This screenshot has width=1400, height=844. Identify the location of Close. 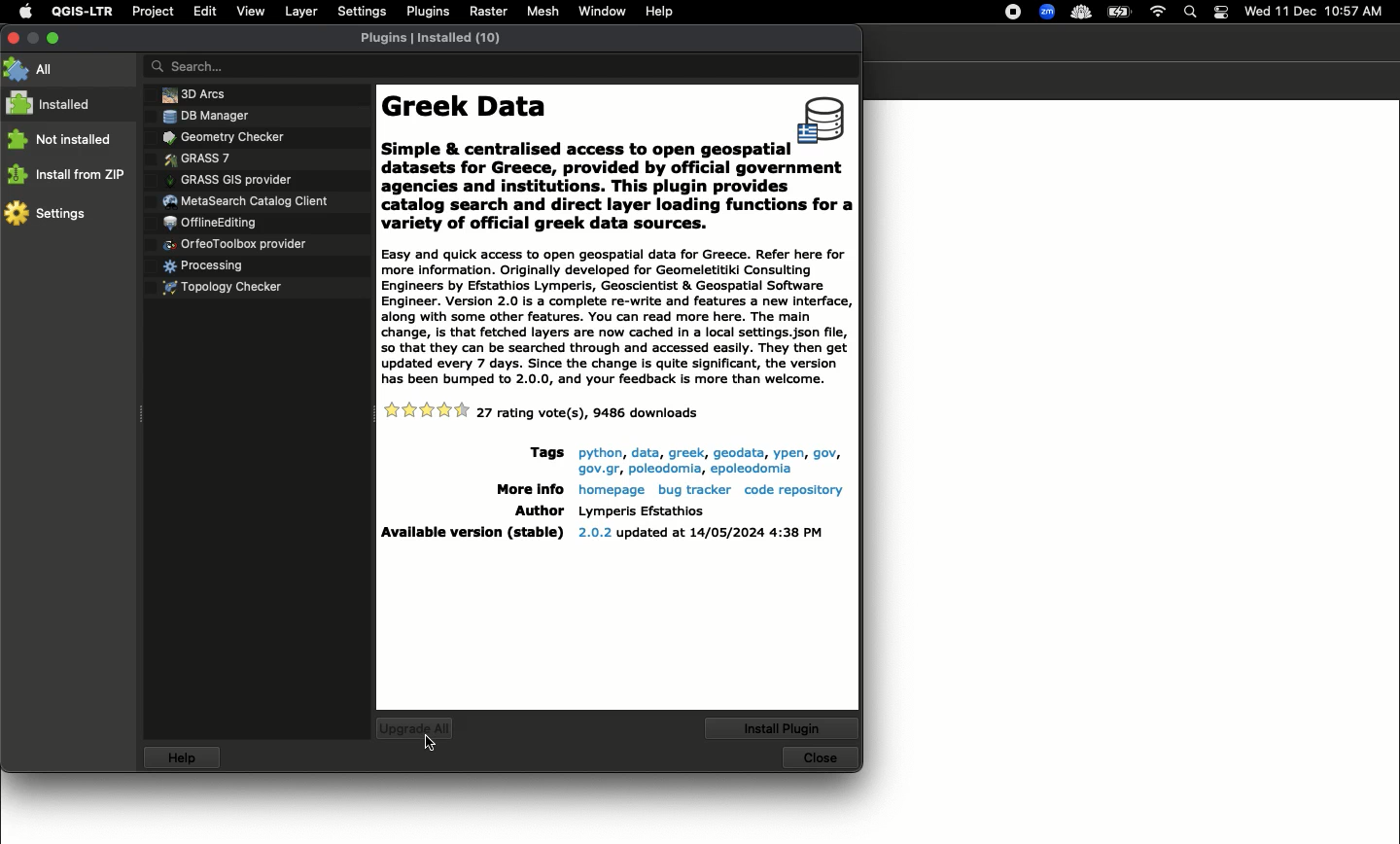
(820, 758).